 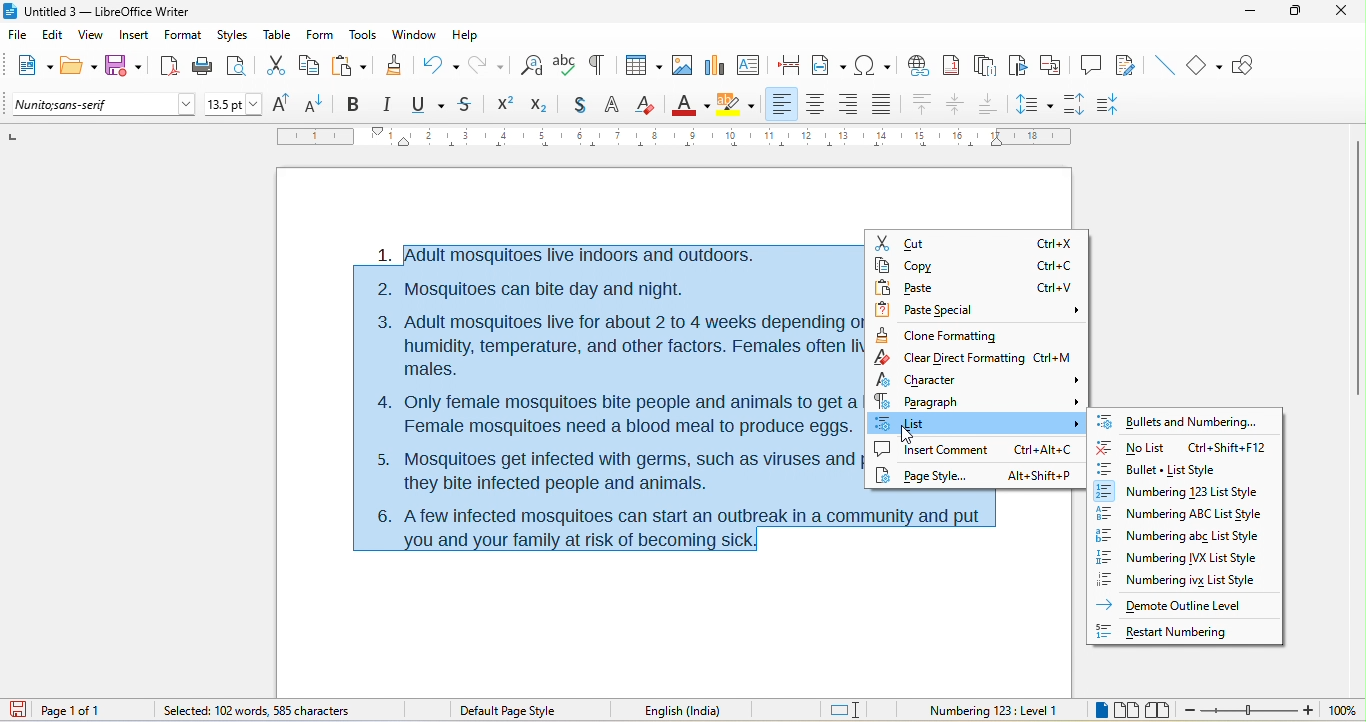 What do you see at coordinates (355, 103) in the screenshot?
I see `bold` at bounding box center [355, 103].